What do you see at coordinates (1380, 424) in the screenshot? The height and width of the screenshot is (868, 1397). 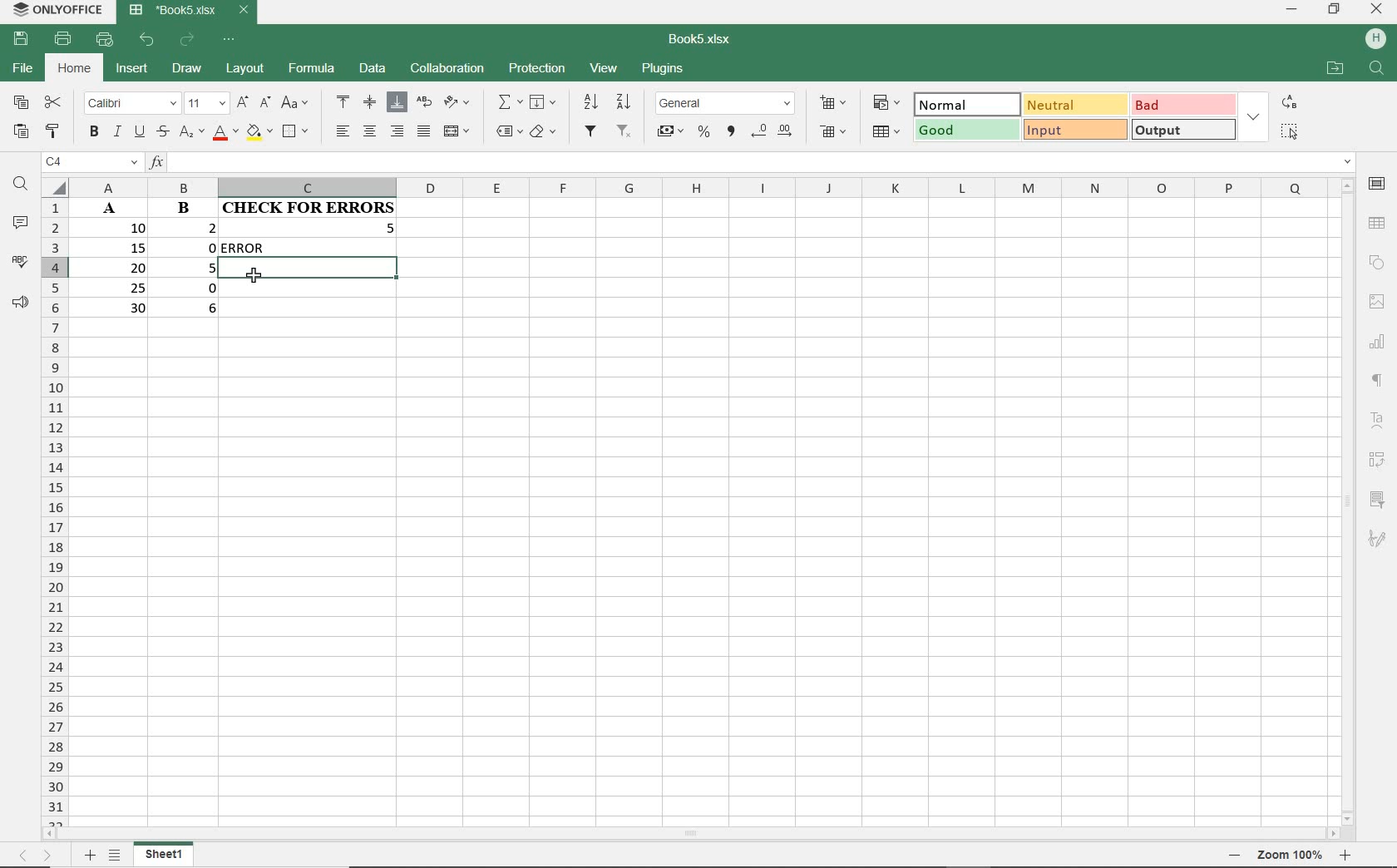 I see `` at bounding box center [1380, 424].